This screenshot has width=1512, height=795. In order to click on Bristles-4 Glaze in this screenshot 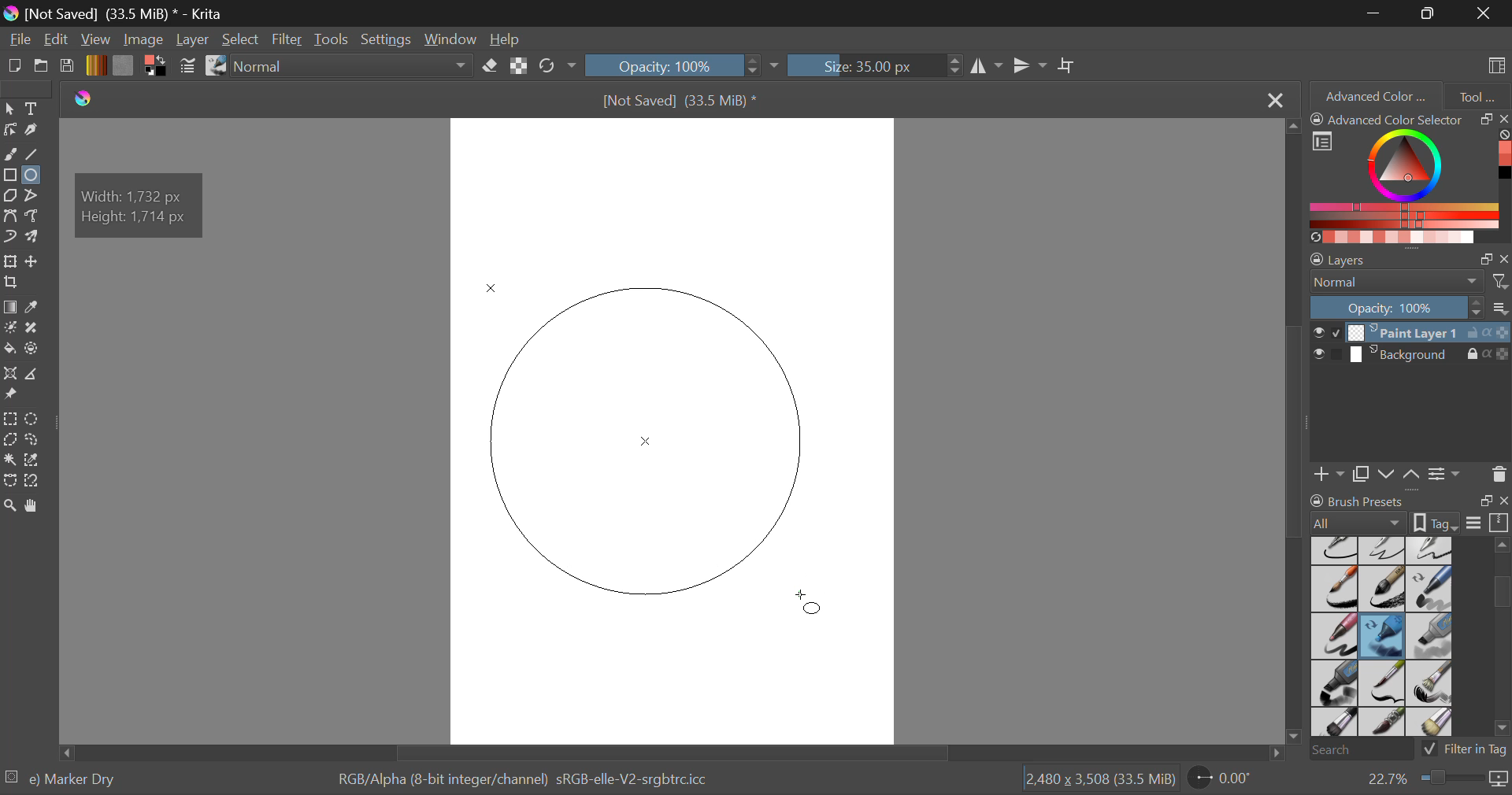, I will do `click(1384, 723)`.